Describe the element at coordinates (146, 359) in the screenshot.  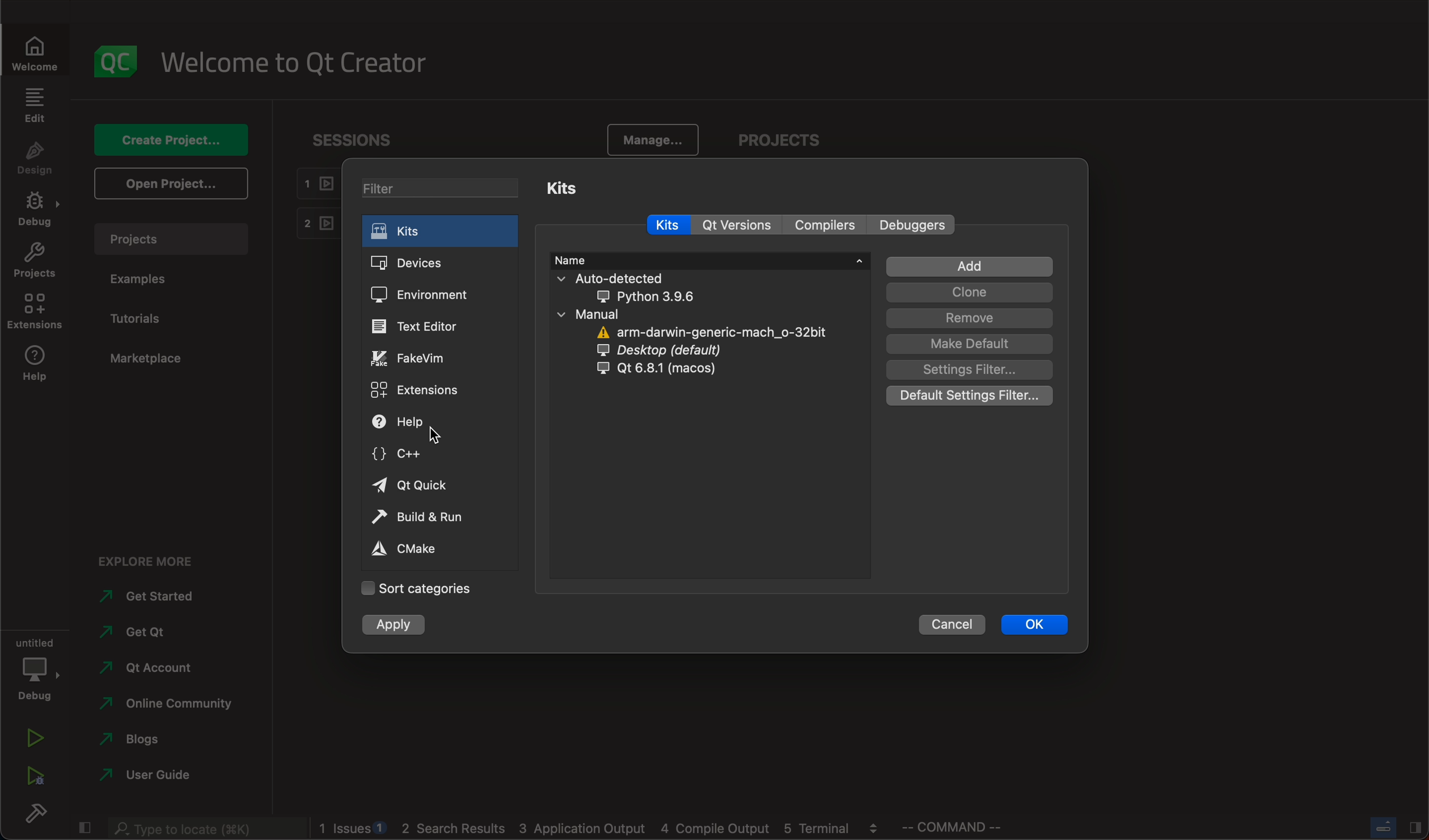
I see `marketplace` at that location.